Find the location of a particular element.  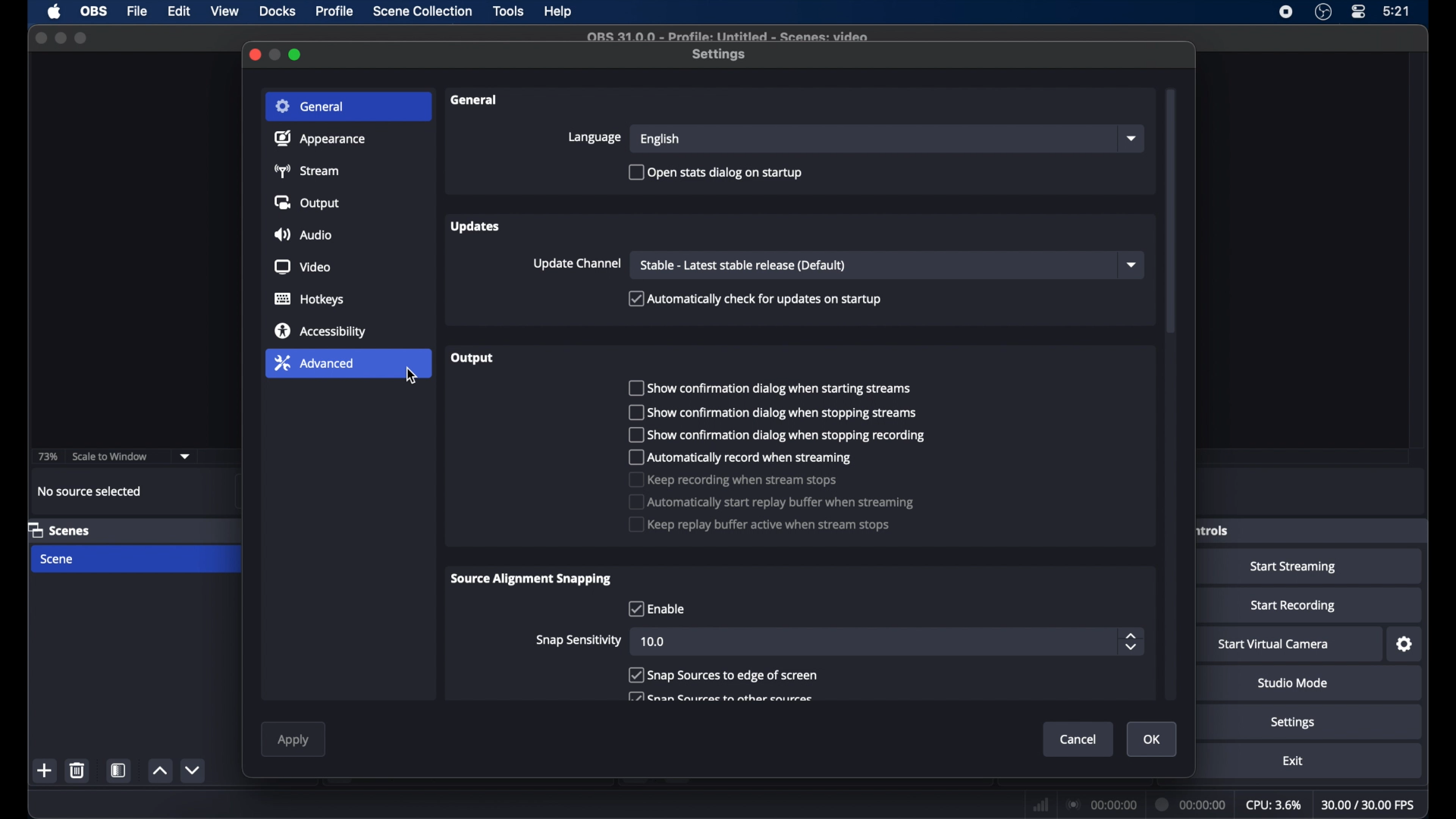

scene is located at coordinates (58, 559).